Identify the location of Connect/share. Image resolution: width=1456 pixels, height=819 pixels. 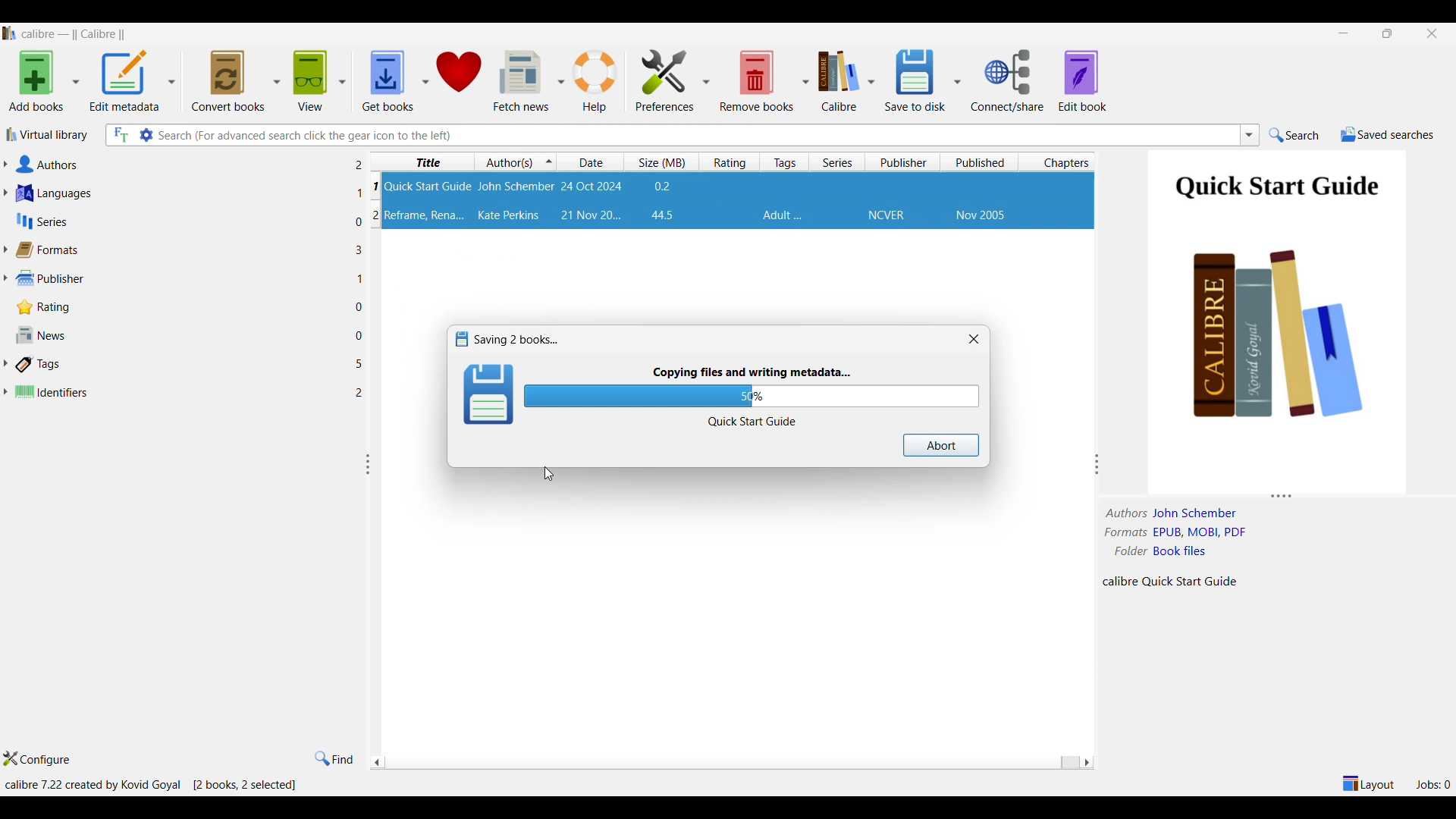
(1009, 81).